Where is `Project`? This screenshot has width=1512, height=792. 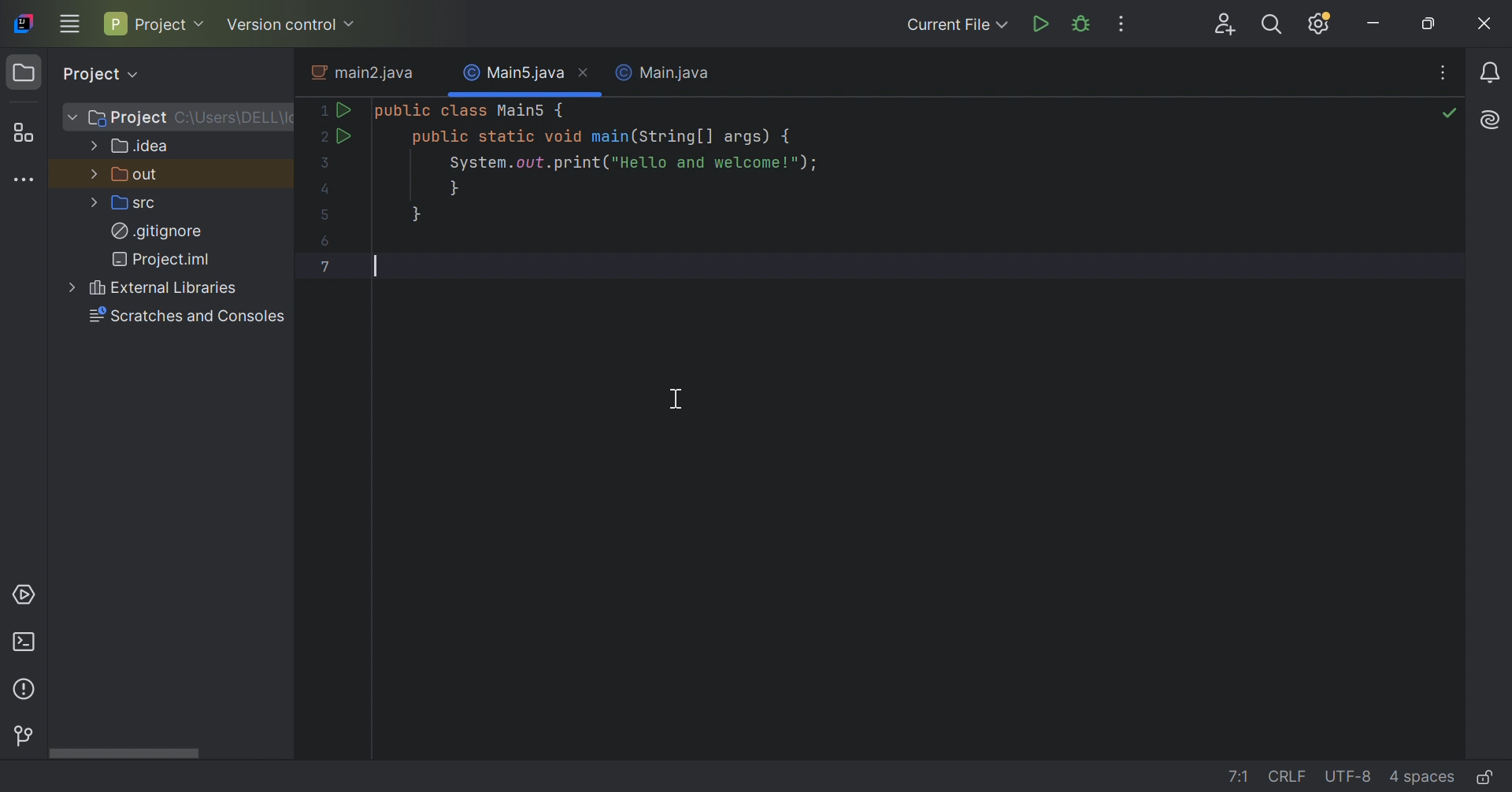
Project is located at coordinates (128, 118).